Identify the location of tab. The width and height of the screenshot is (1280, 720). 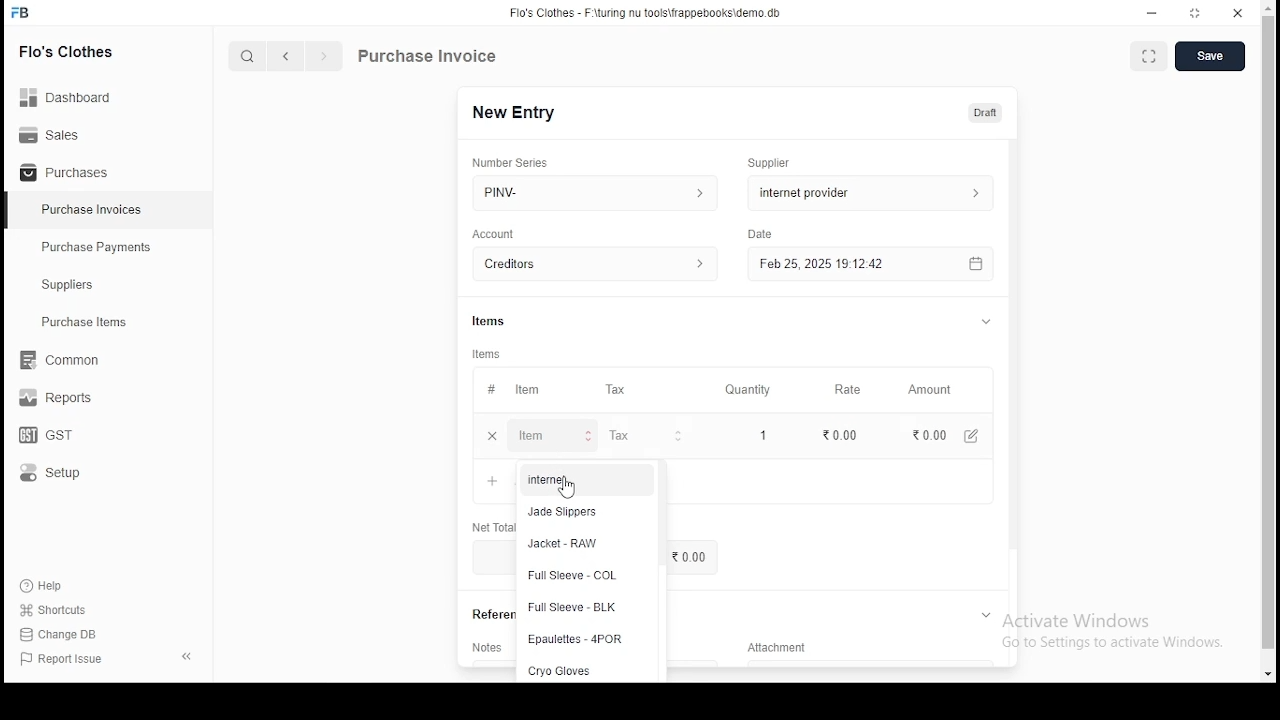
(990, 615).